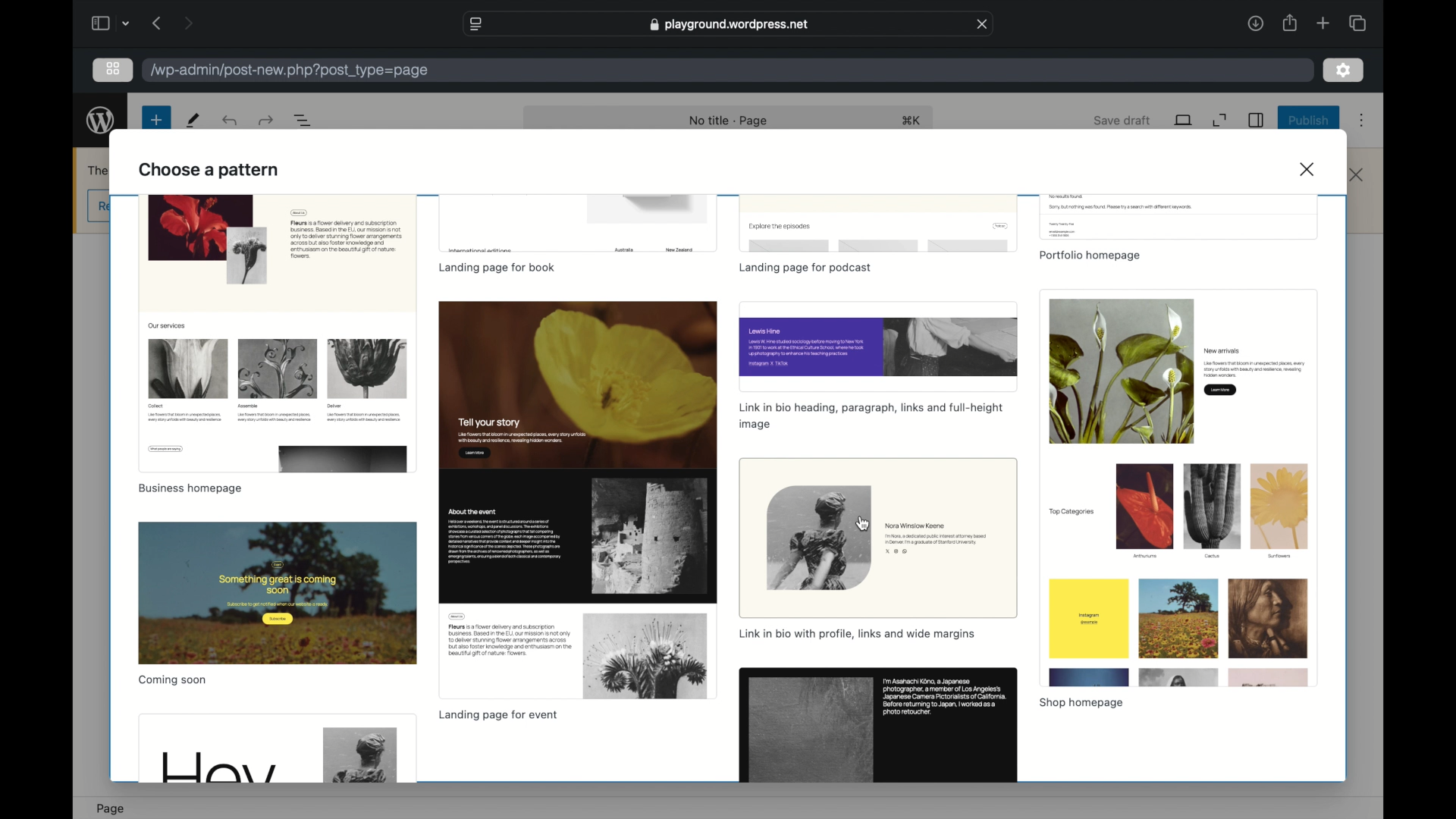  What do you see at coordinates (1089, 256) in the screenshot?
I see `portfolio homepage` at bounding box center [1089, 256].